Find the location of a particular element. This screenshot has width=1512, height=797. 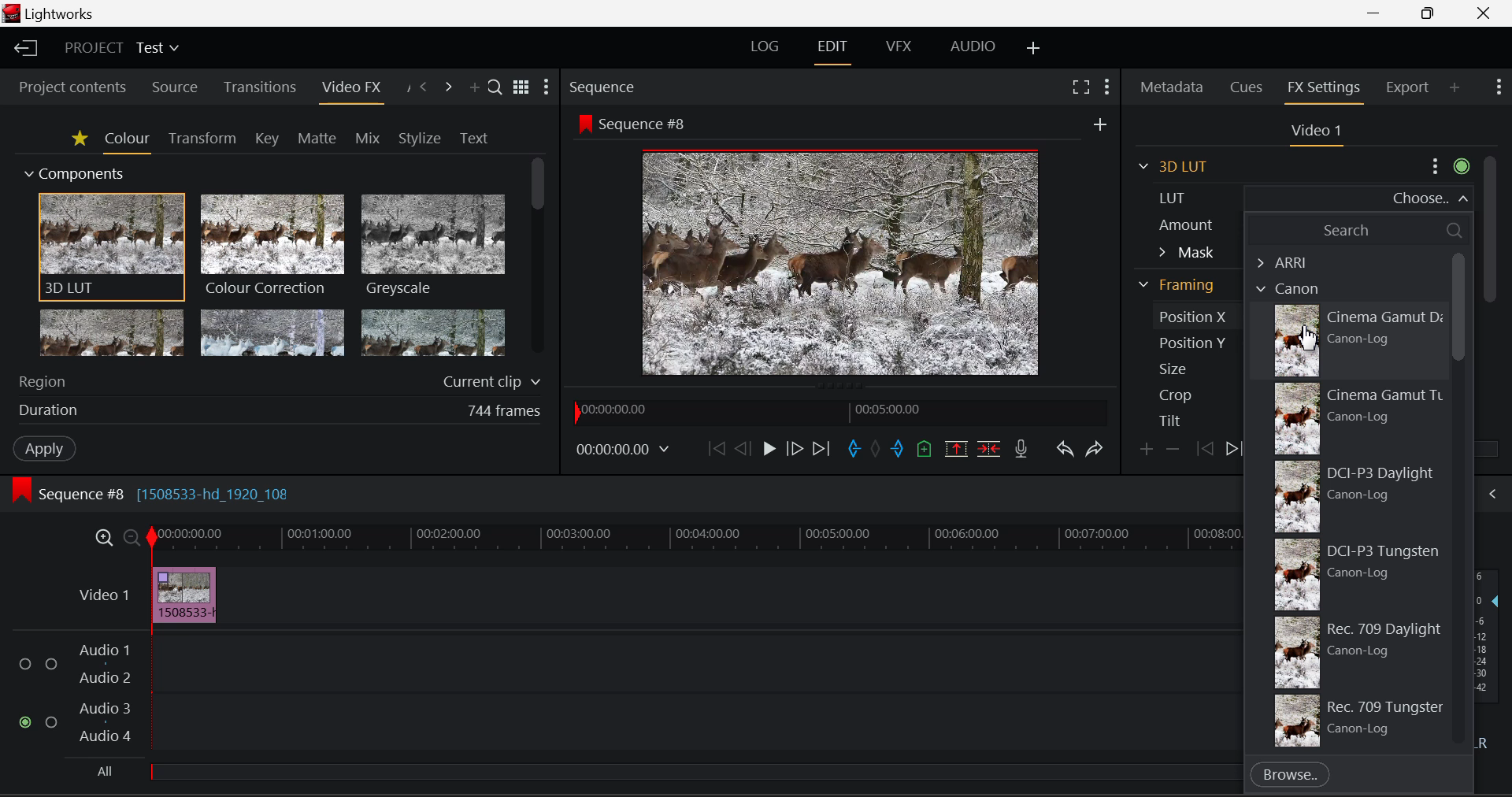

Audio Input Checkbox is located at coordinates (24, 664).